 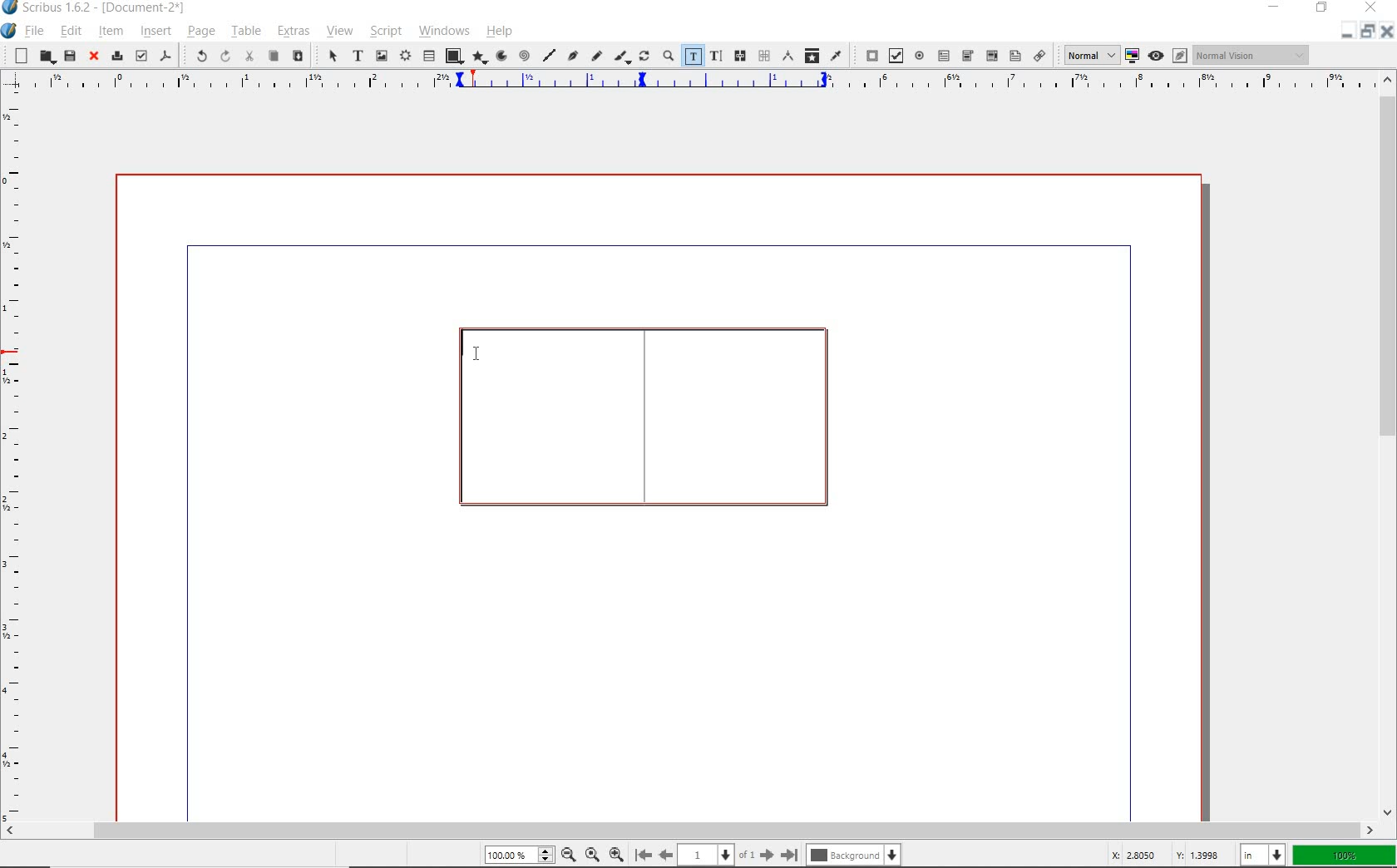 What do you see at coordinates (294, 32) in the screenshot?
I see `extras` at bounding box center [294, 32].